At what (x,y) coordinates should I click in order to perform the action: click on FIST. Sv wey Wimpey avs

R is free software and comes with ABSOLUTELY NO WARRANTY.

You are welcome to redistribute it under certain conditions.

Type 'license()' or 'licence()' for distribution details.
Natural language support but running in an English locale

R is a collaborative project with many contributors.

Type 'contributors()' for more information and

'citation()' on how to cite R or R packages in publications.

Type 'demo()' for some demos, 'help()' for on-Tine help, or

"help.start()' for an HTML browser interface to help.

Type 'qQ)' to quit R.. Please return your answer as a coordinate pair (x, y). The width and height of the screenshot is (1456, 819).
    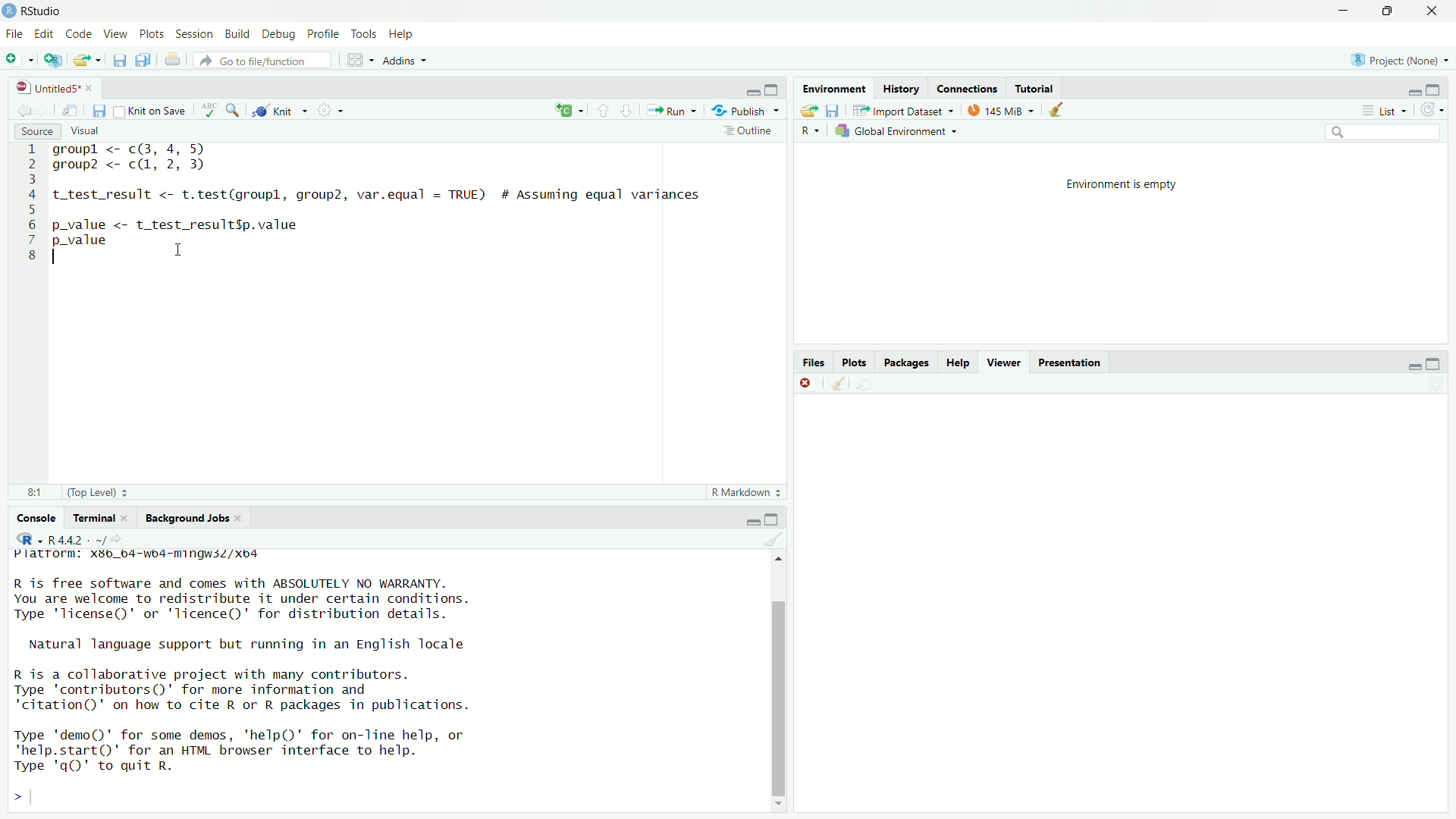
    Looking at the image, I should click on (240, 666).